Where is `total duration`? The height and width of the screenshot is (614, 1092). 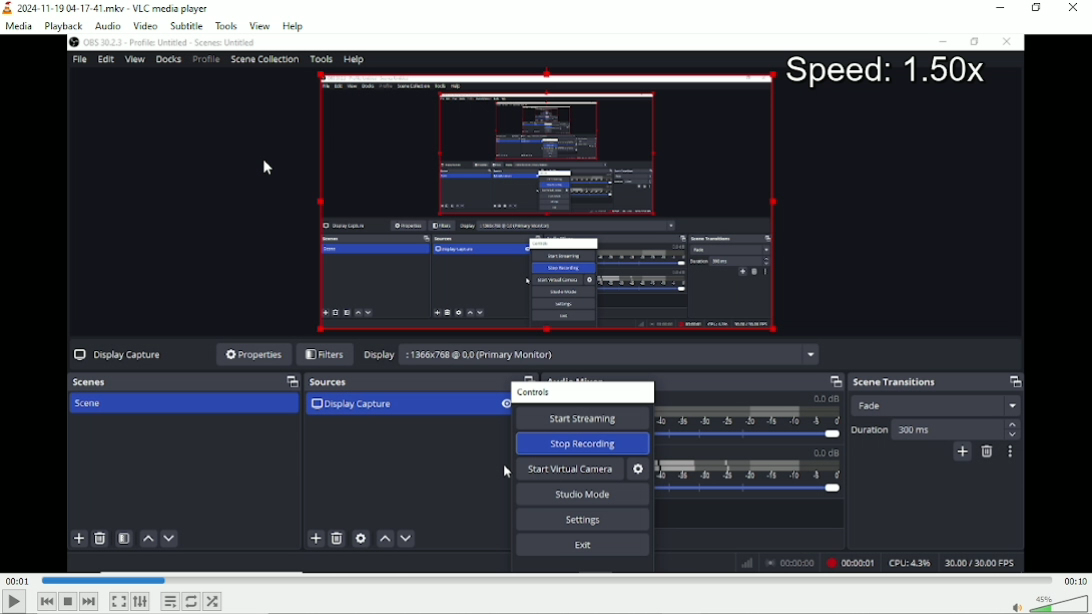
total duration is located at coordinates (1074, 579).